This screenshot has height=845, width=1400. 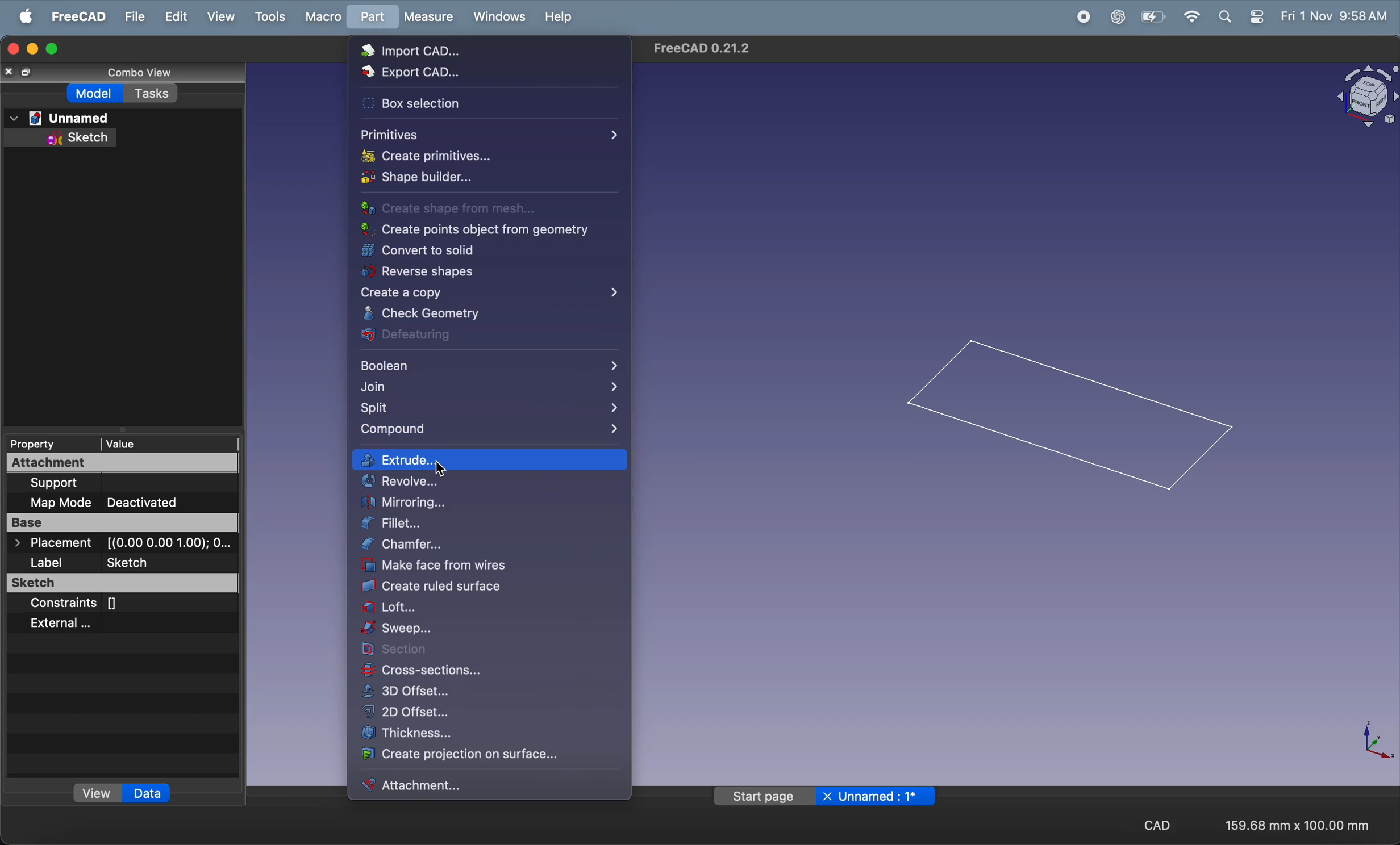 I want to click on minimize, so click(x=31, y=48).